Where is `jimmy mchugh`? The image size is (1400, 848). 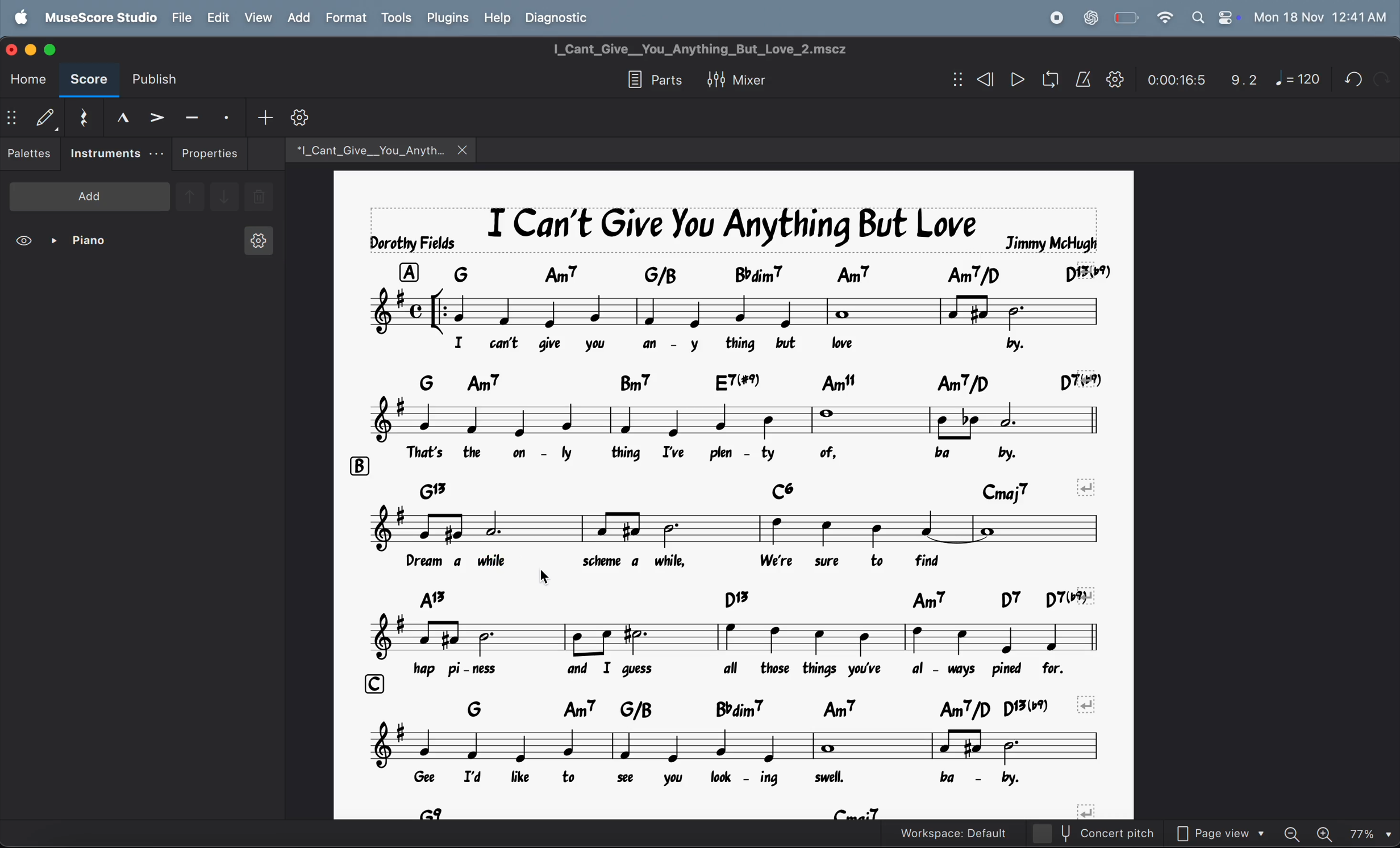
jimmy mchugh is located at coordinates (1054, 241).